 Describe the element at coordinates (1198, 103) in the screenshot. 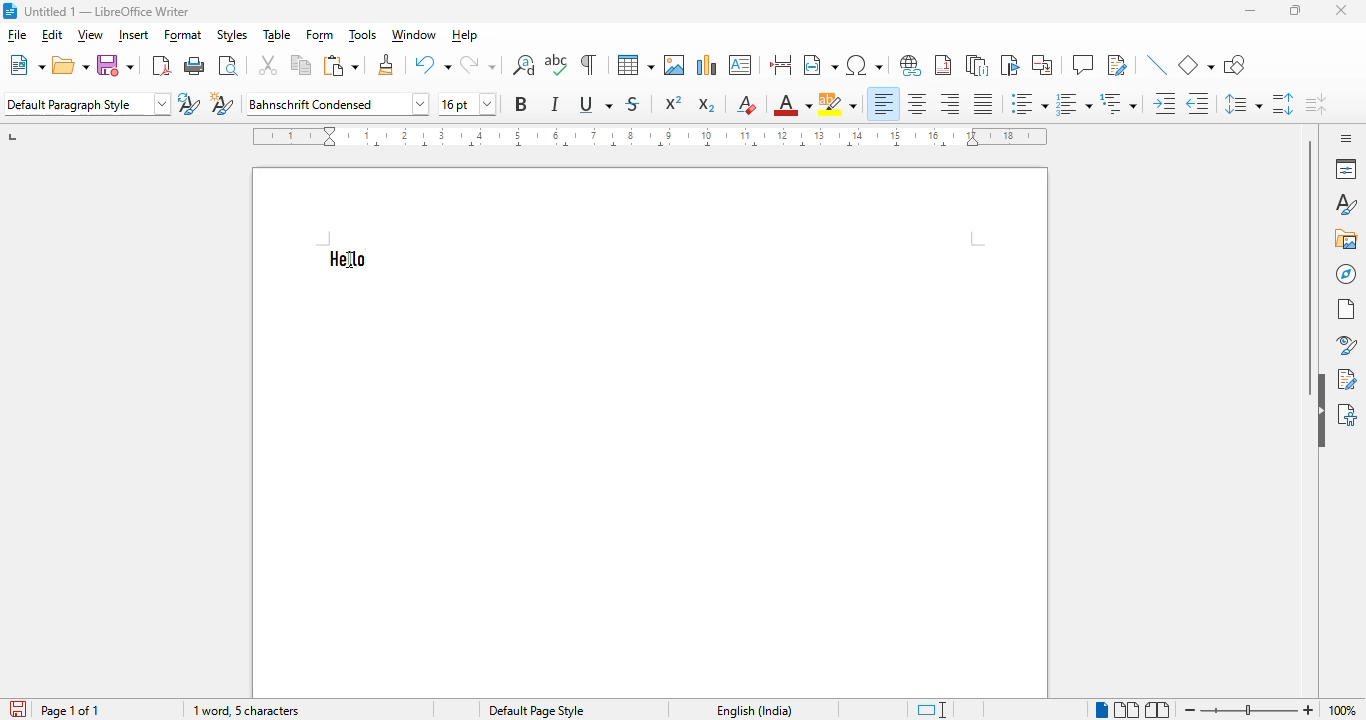

I see `decrease indent` at that location.